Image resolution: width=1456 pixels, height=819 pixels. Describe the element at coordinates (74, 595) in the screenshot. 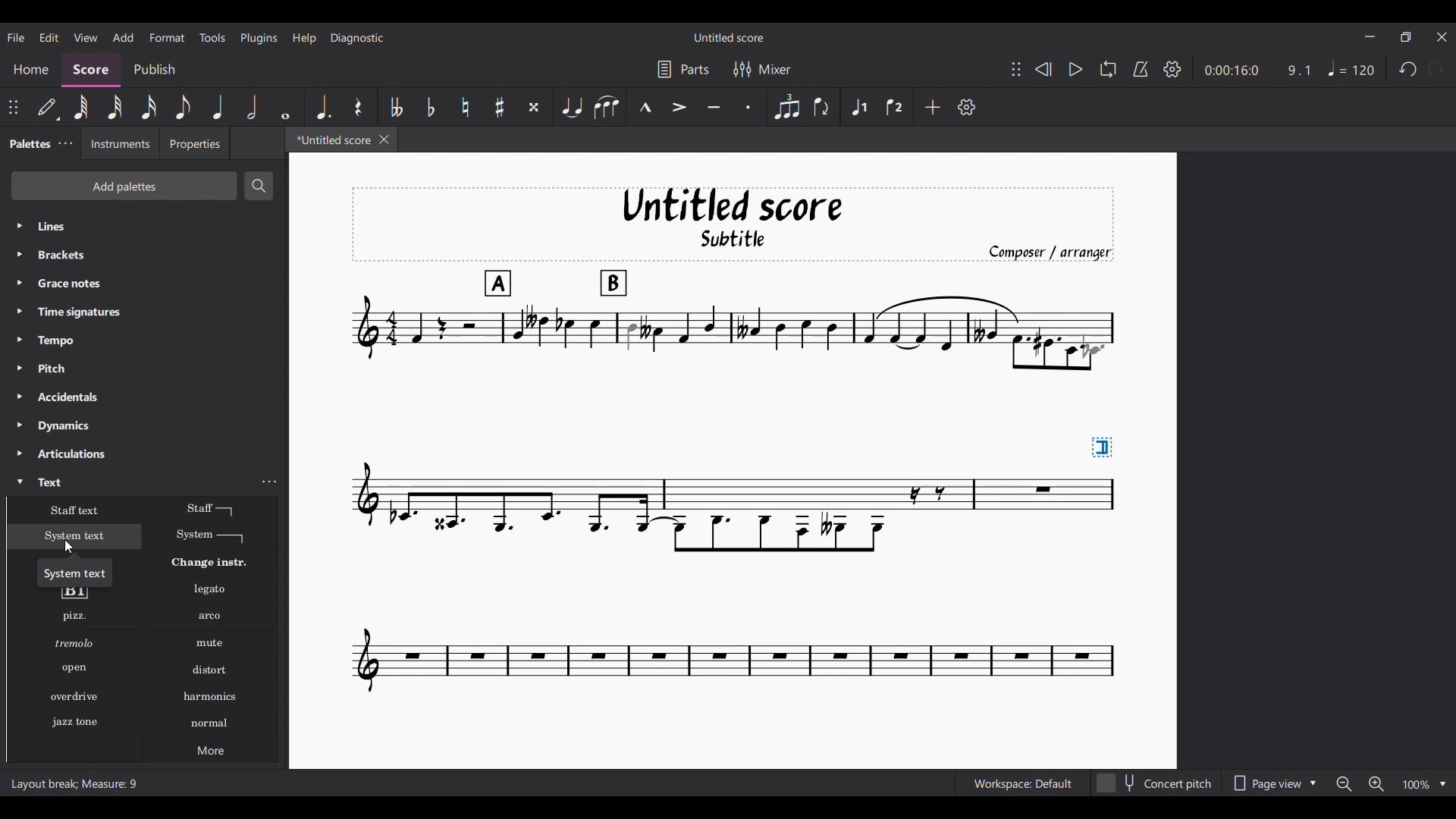

I see `Rehearsal mark` at that location.